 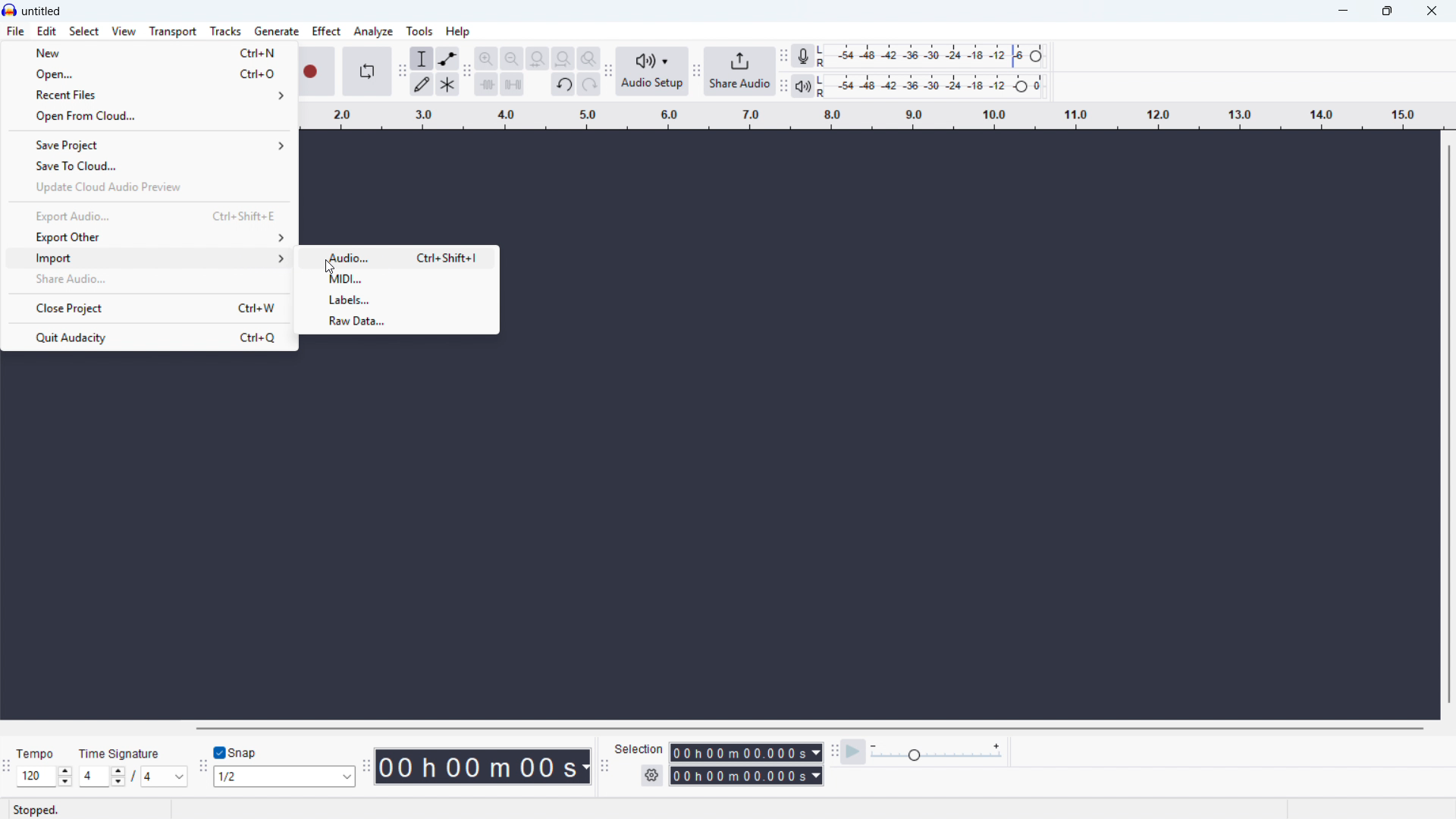 I want to click on Play at speed toolbar , so click(x=833, y=750).